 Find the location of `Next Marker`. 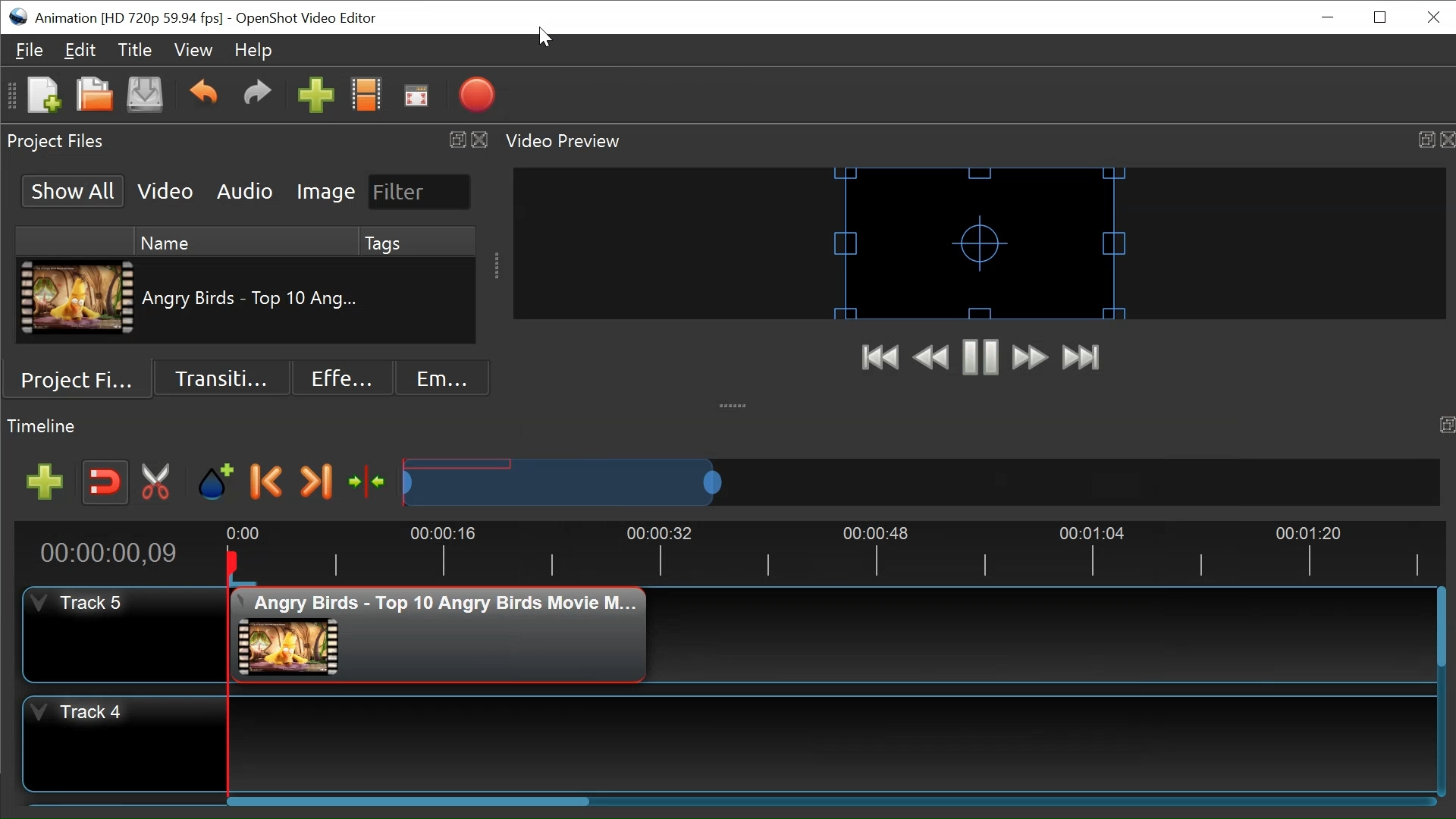

Next Marker is located at coordinates (318, 482).